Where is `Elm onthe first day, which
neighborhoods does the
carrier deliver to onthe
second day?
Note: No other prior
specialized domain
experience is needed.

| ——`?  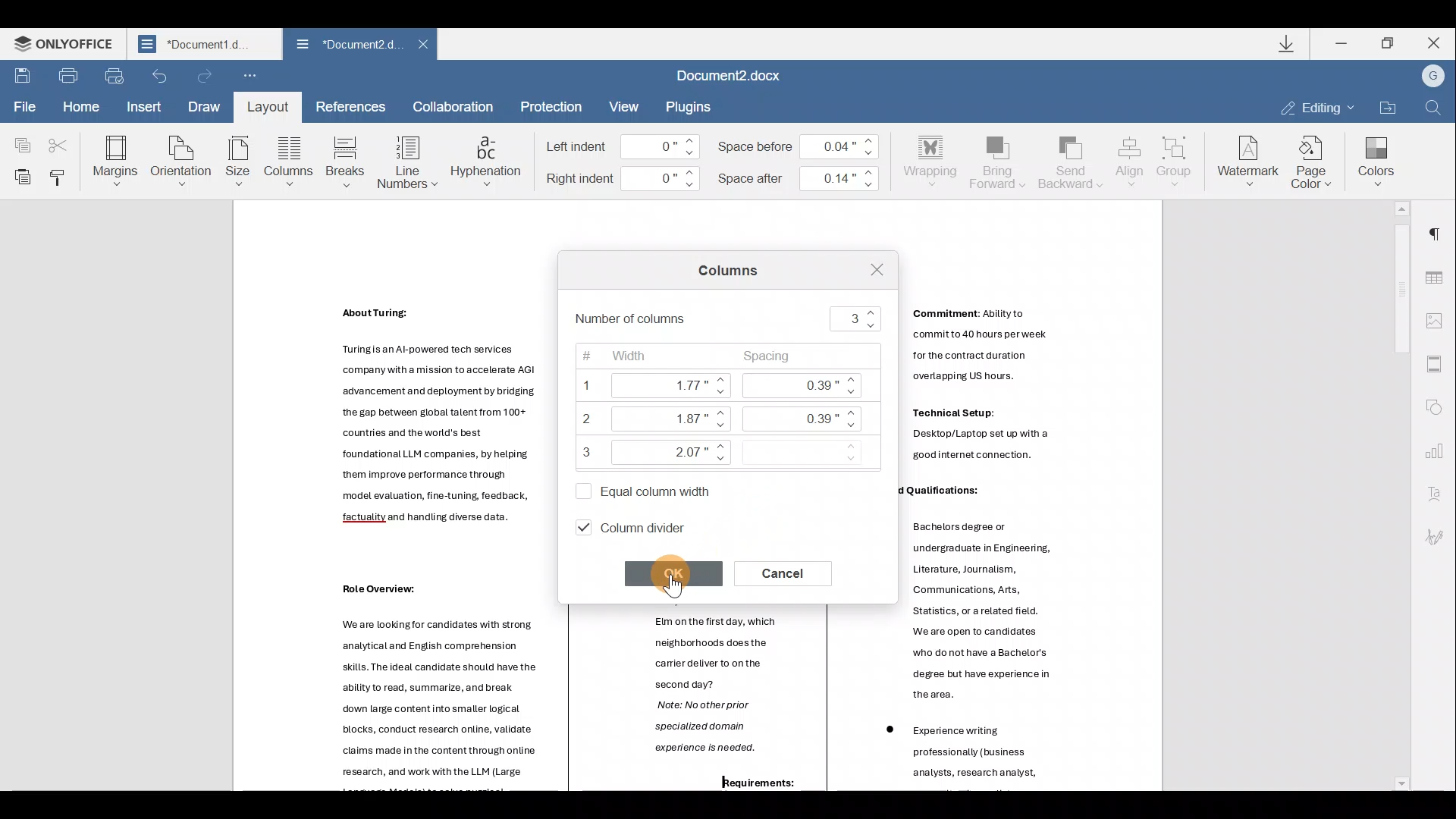
Elm onthe first day, which
neighborhoods does the
carrier deliver to onthe
second day?
Note: No other prior
specialized domain
experience is needed.

| —— is located at coordinates (708, 701).